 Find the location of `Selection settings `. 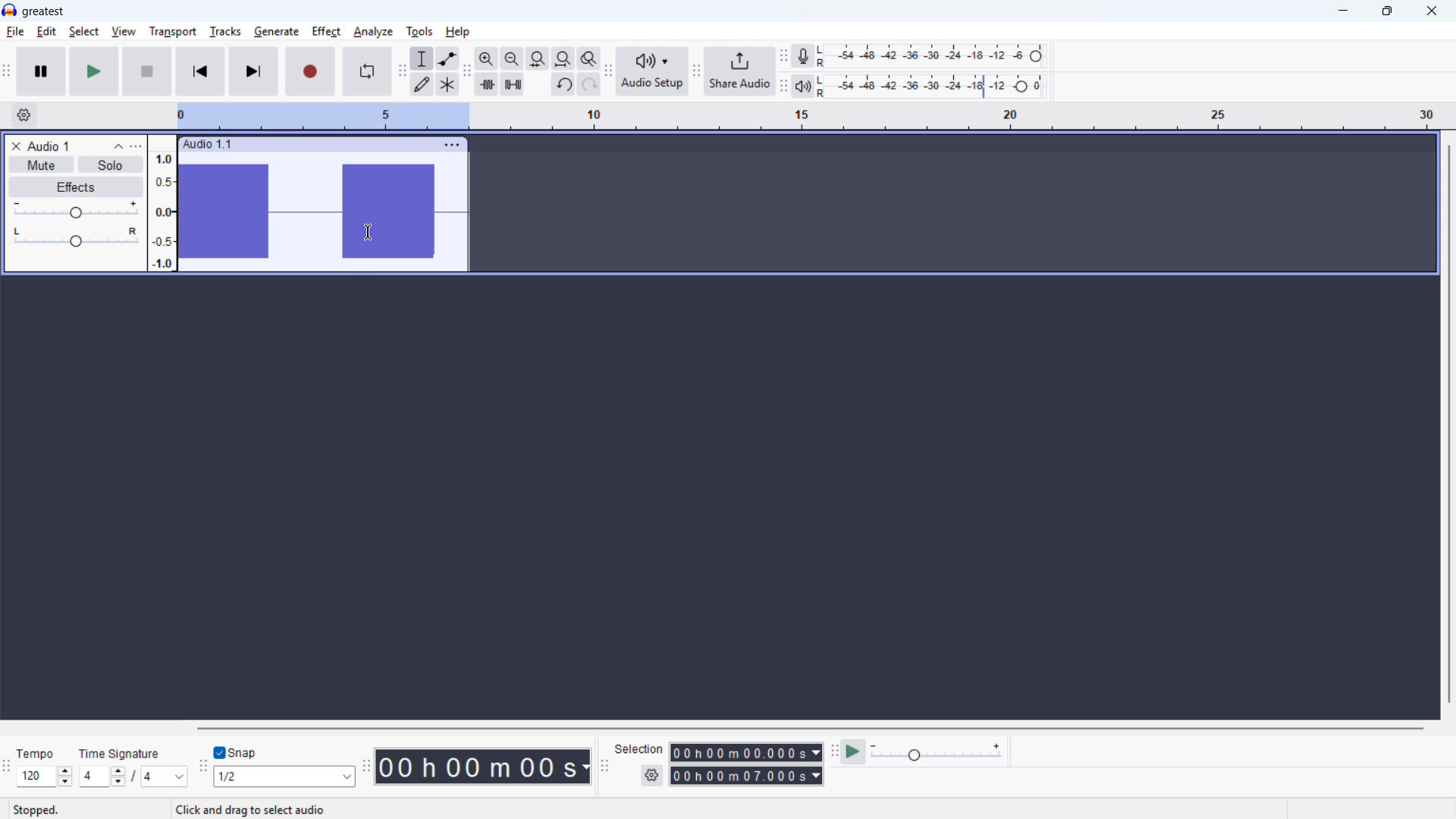

Selection settings  is located at coordinates (653, 775).